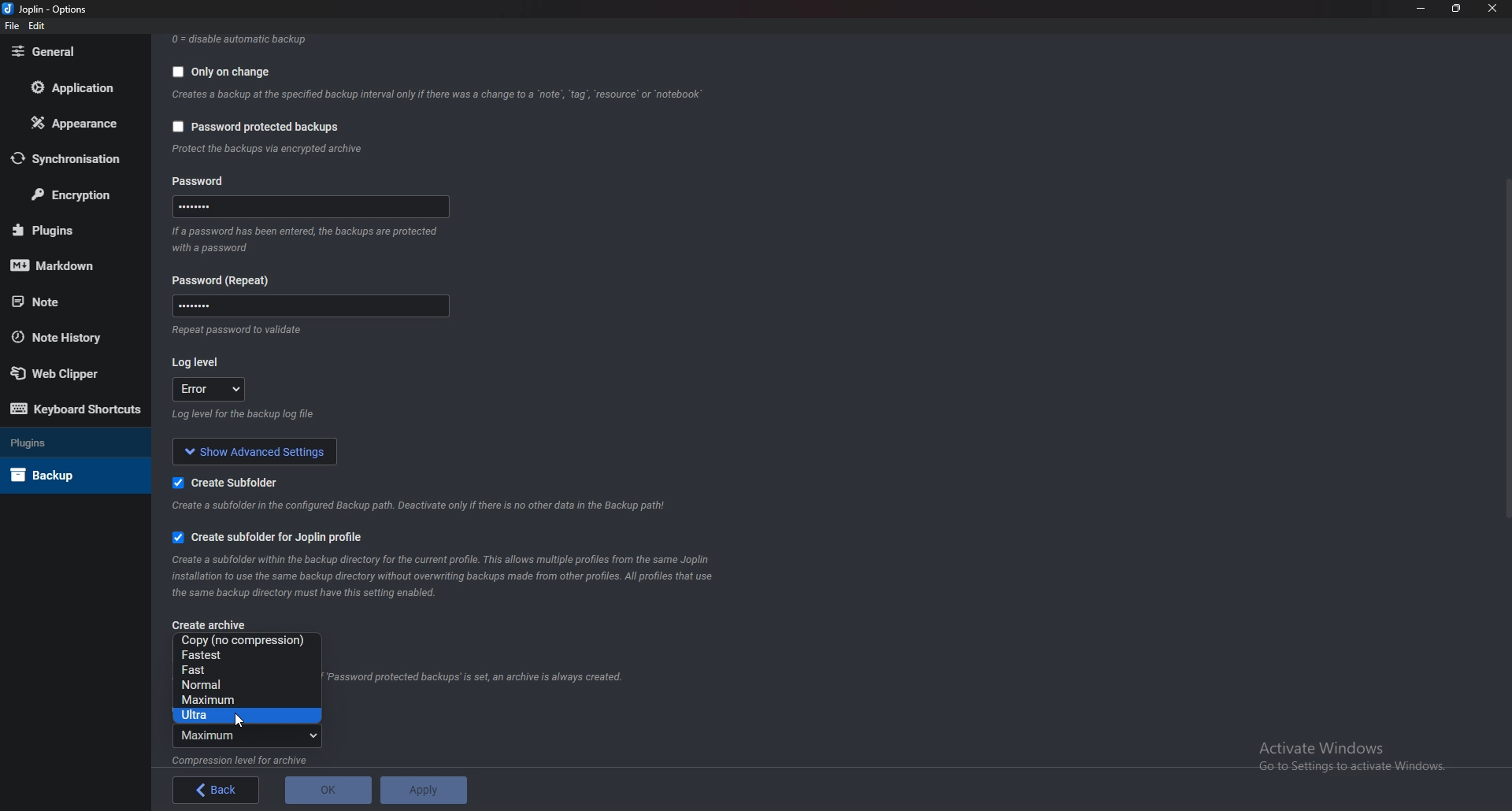 This screenshot has width=1512, height=811. Describe the element at coordinates (424, 505) in the screenshot. I see `info on subfolder` at that location.